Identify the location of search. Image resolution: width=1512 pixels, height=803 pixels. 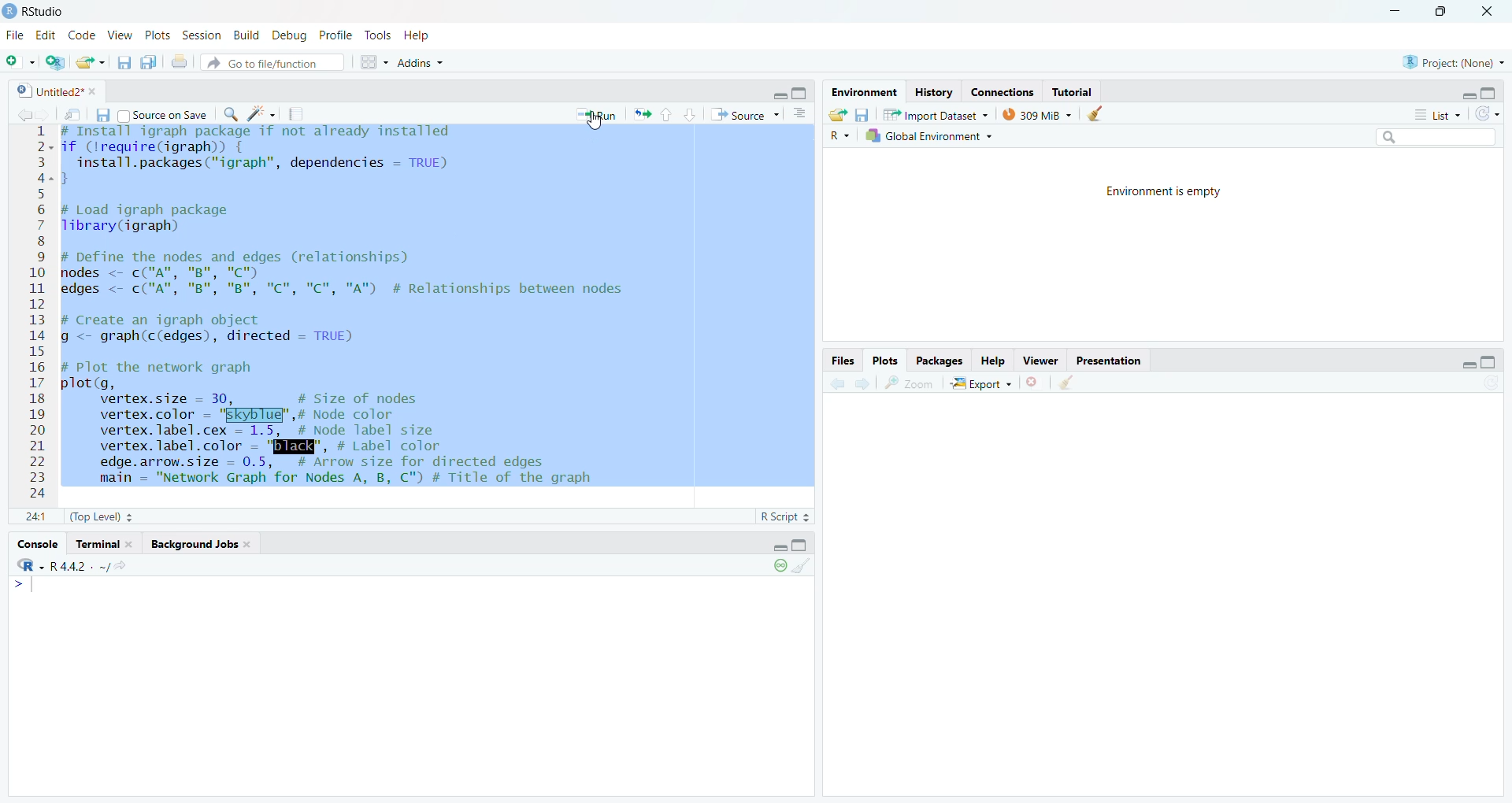
(235, 114).